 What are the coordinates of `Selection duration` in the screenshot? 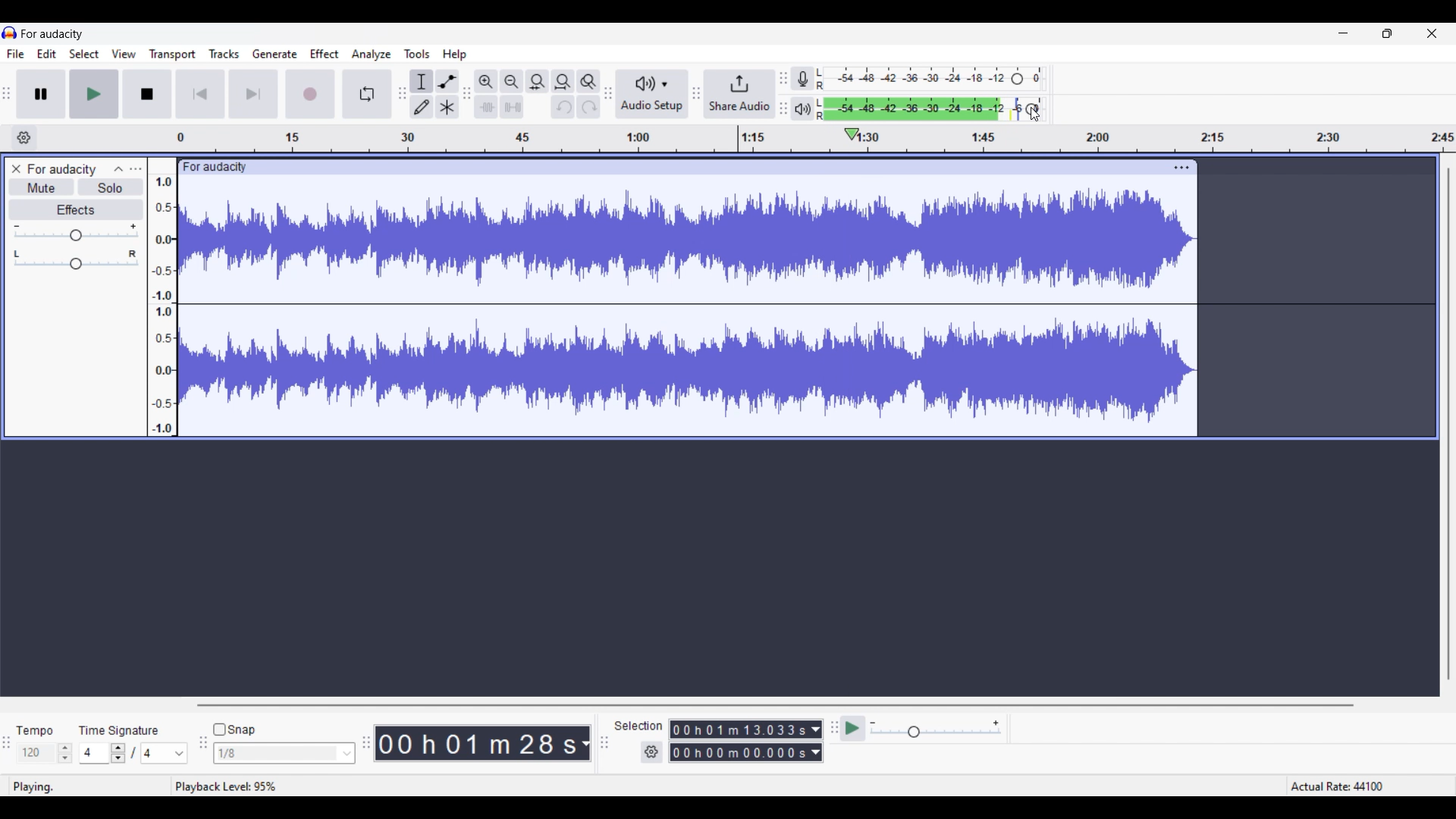 It's located at (738, 741).